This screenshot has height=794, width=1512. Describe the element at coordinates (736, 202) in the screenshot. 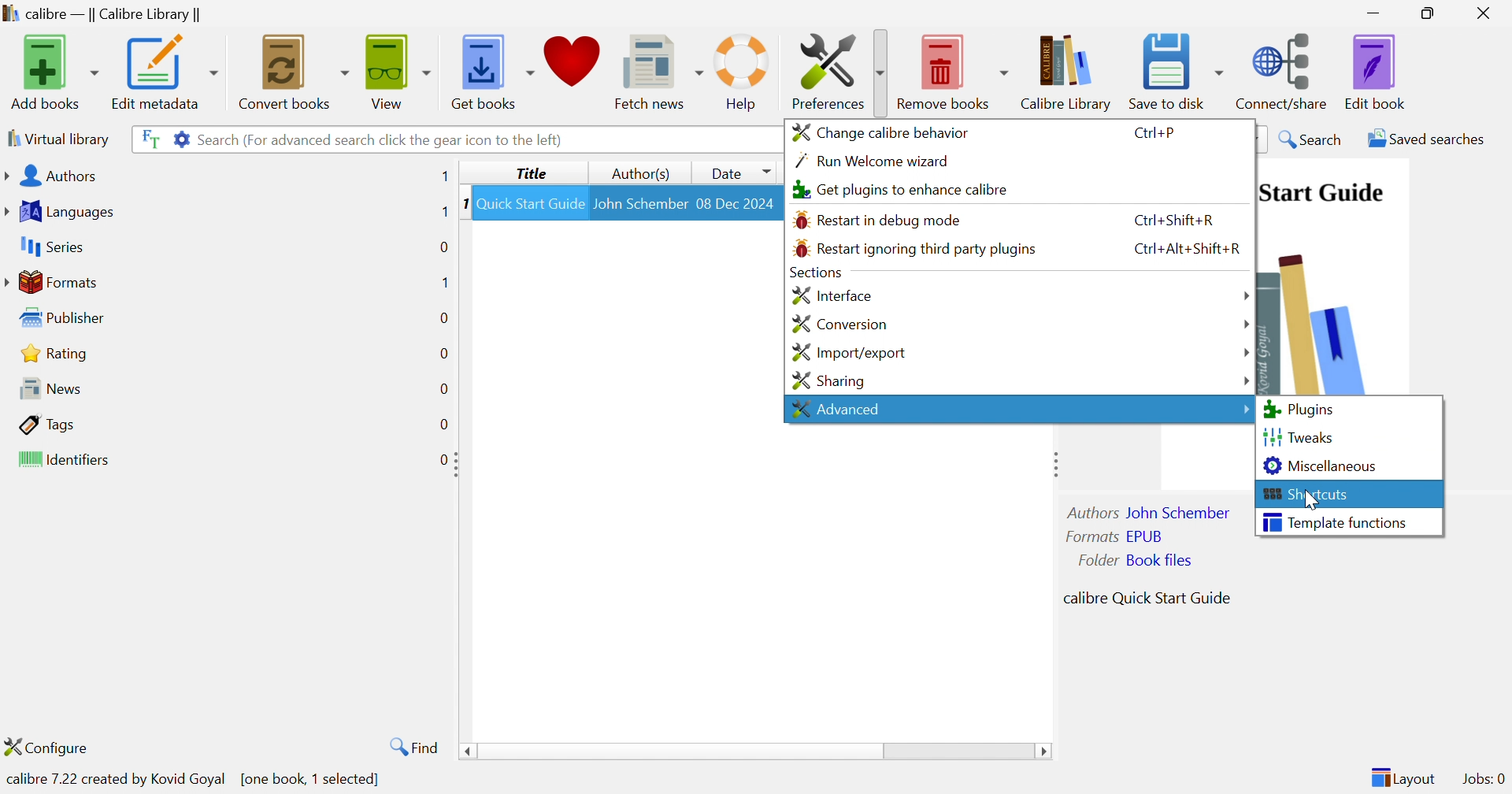

I see `08 Dec 2024` at that location.